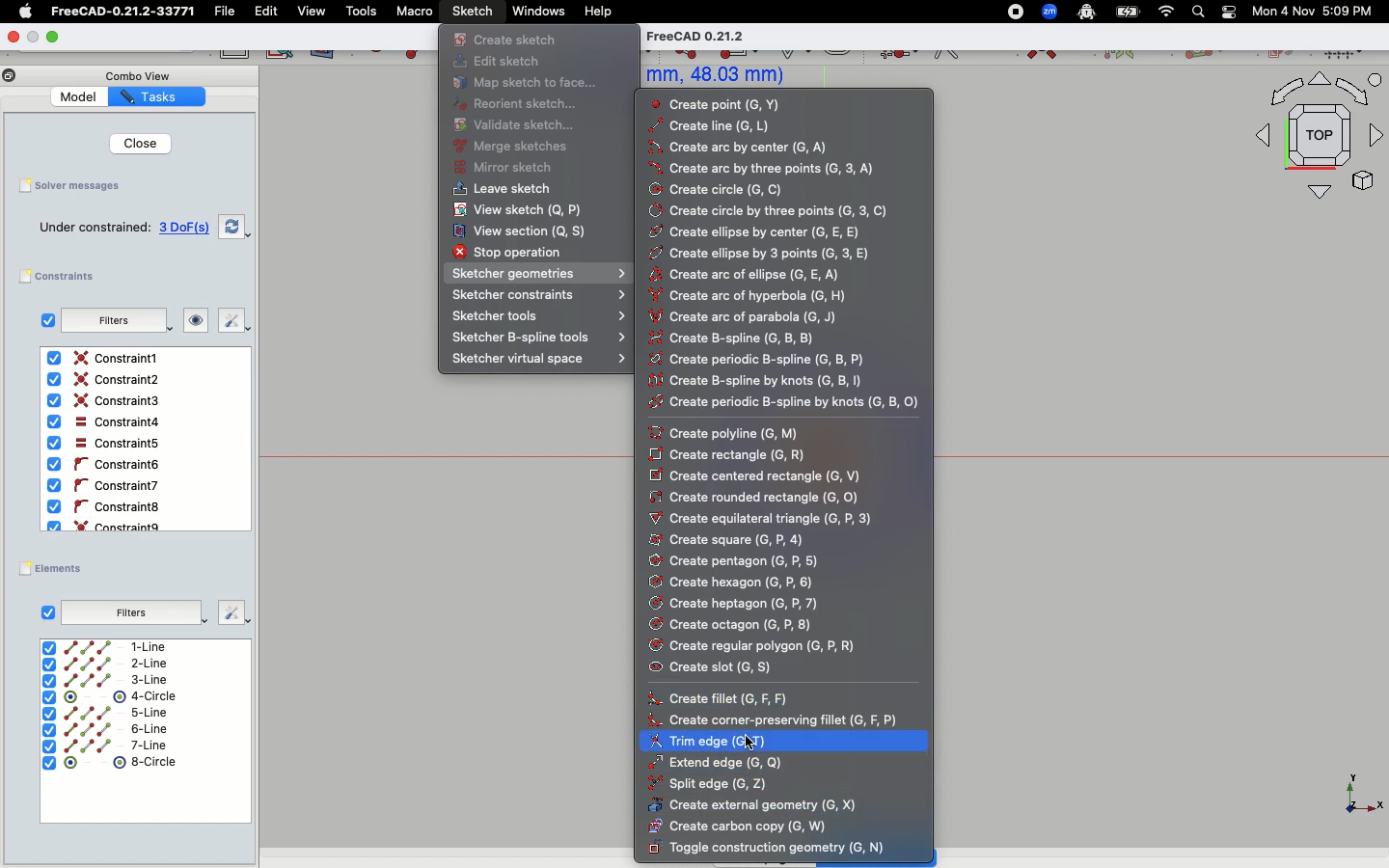 The width and height of the screenshot is (1389, 868). Describe the element at coordinates (769, 849) in the screenshot. I see `Toggle construction geometry (G, N)` at that location.